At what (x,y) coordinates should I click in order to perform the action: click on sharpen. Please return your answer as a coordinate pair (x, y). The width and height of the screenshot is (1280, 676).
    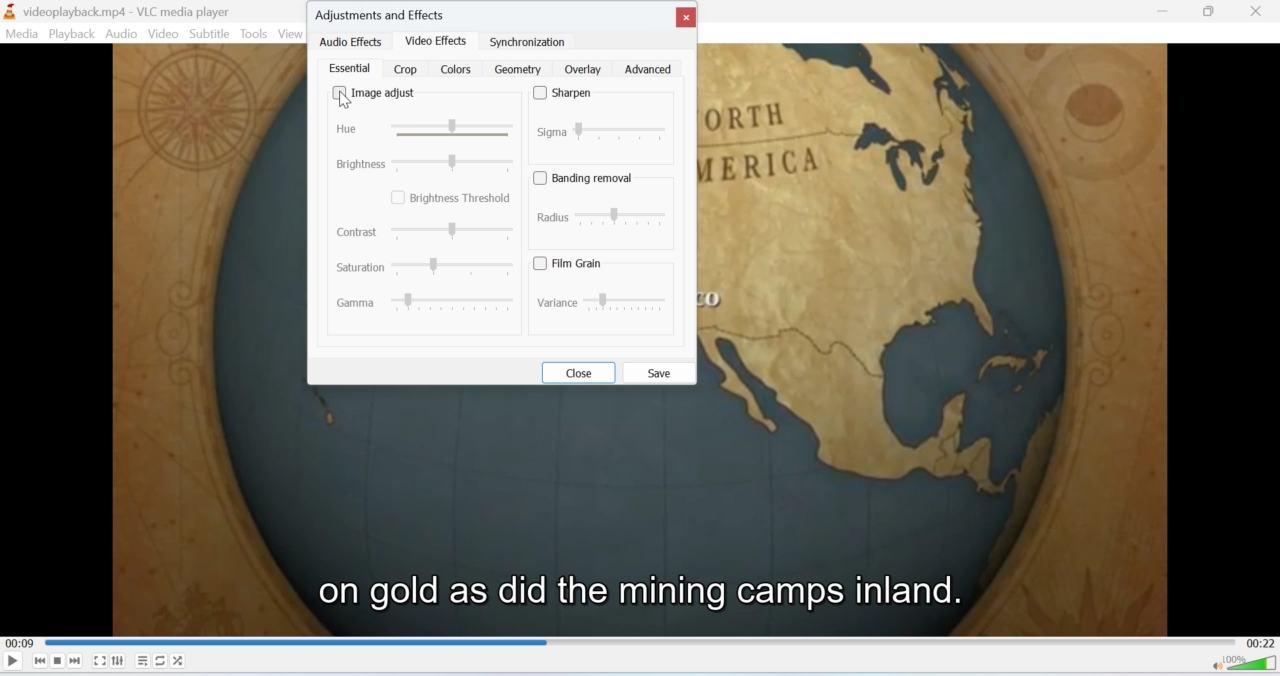
    Looking at the image, I should click on (568, 93).